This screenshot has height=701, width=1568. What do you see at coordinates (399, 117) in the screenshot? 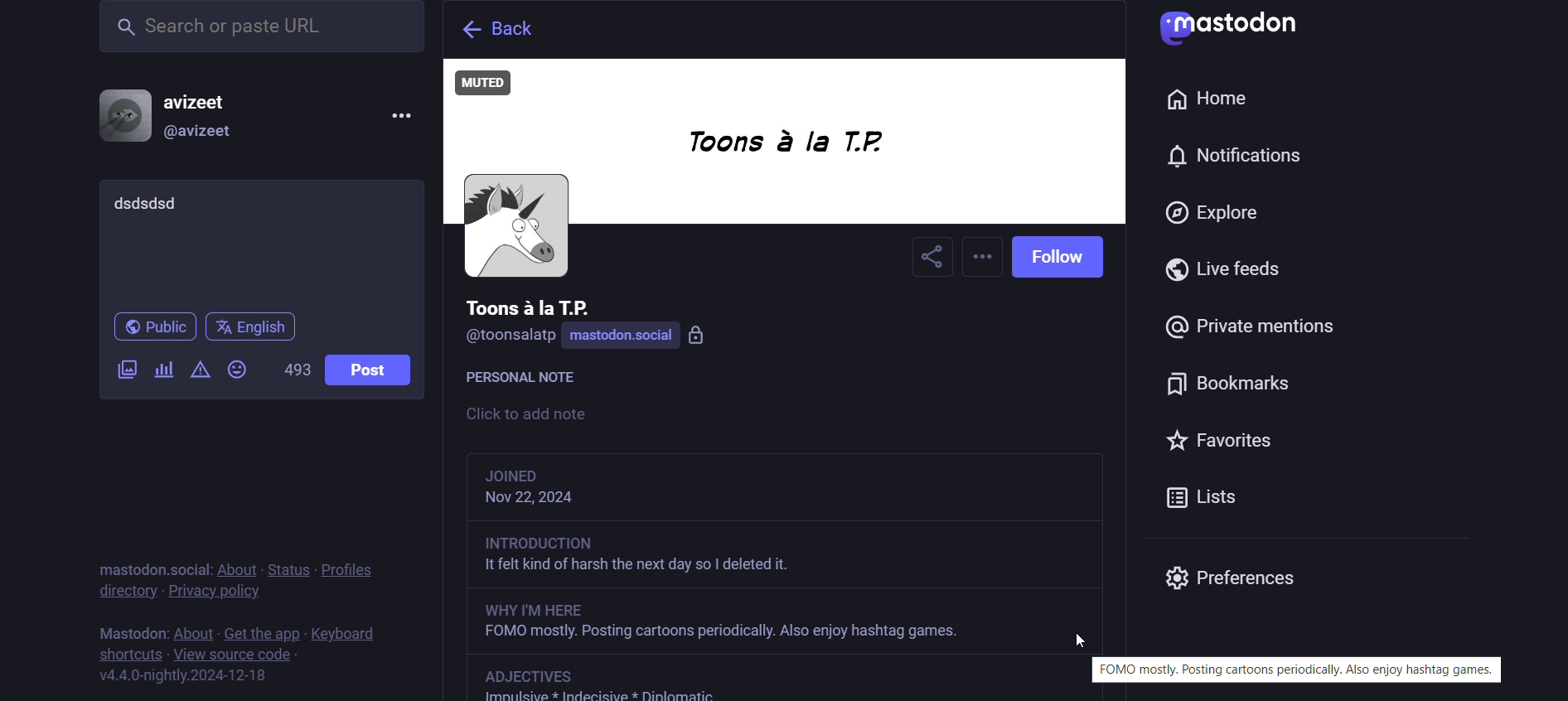
I see `menu` at bounding box center [399, 117].